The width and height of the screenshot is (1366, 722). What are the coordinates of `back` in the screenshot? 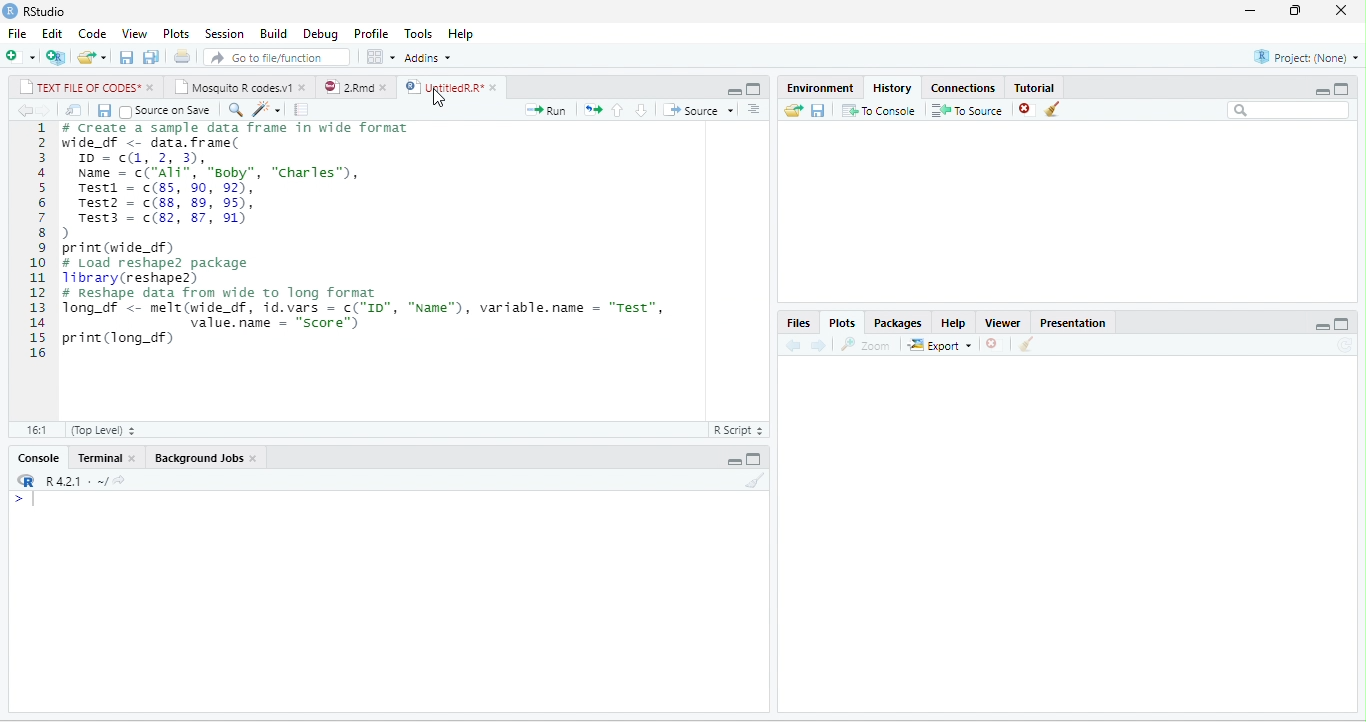 It's located at (794, 346).